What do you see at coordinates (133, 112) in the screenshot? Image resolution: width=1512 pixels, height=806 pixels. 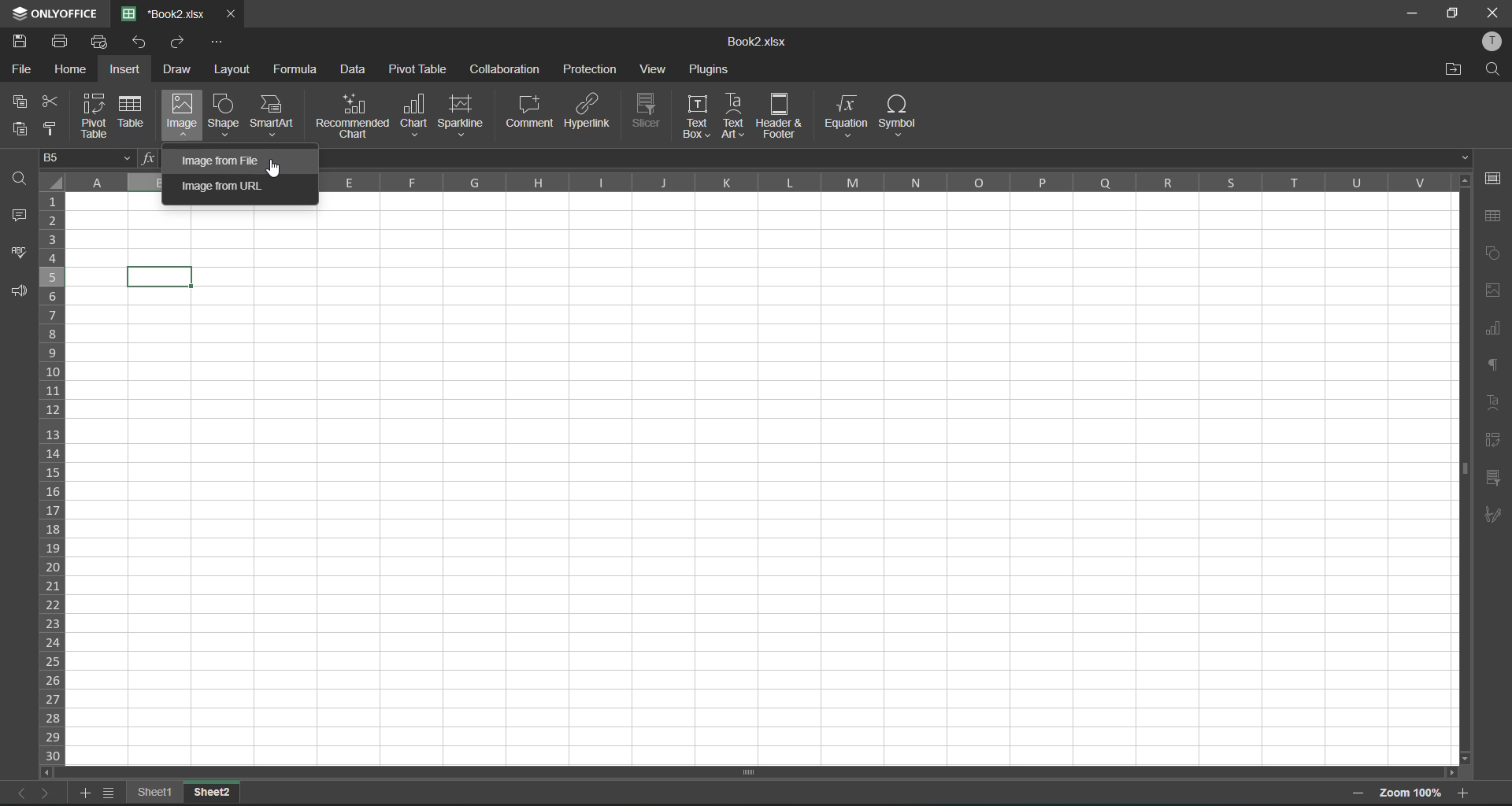 I see `table` at bounding box center [133, 112].